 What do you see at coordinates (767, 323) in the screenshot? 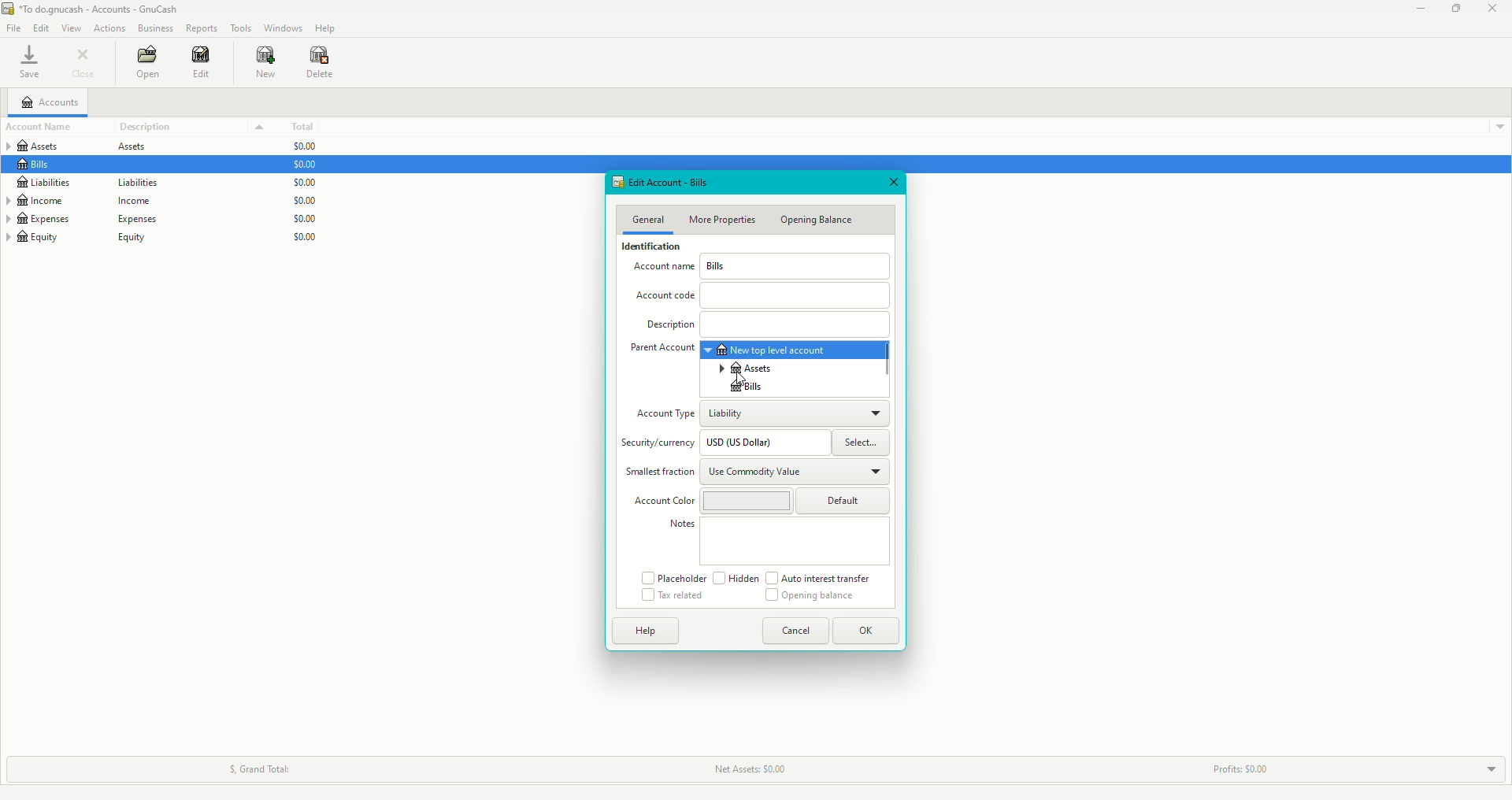
I see `Description` at bounding box center [767, 323].